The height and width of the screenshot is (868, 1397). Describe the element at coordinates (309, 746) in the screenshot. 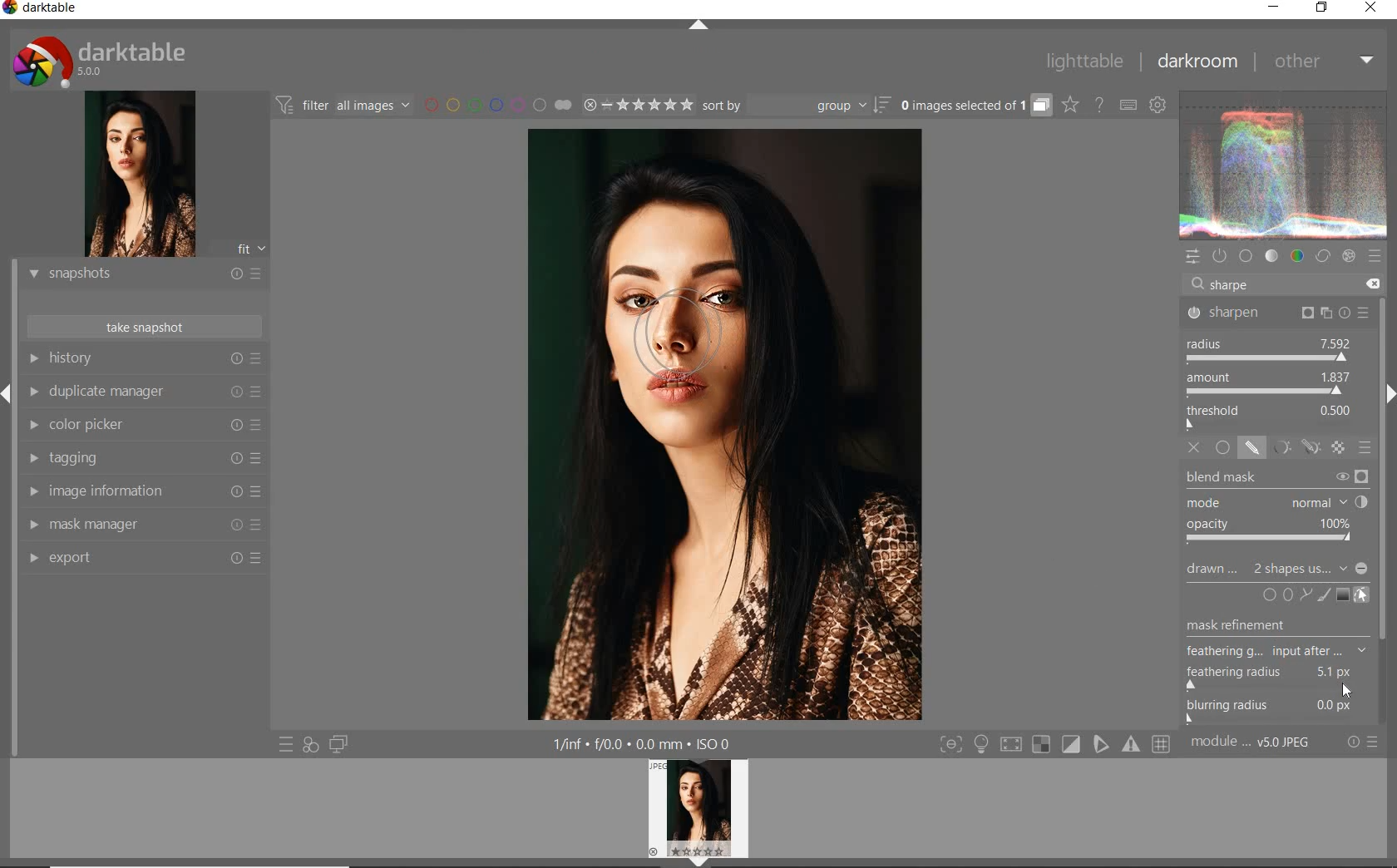

I see `quick access for applying any of your styles` at that location.